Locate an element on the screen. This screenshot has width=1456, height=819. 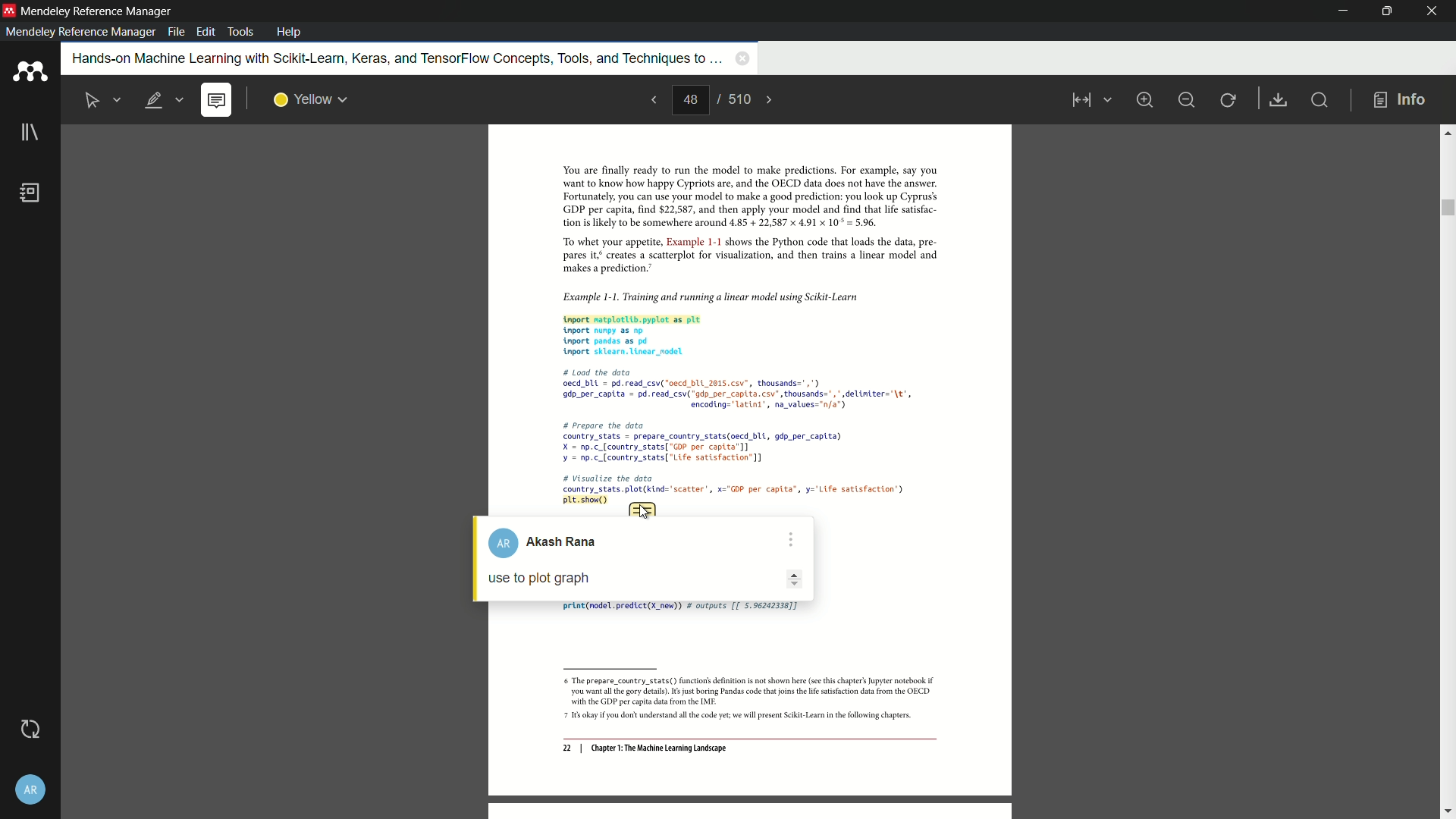
select is located at coordinates (93, 101).